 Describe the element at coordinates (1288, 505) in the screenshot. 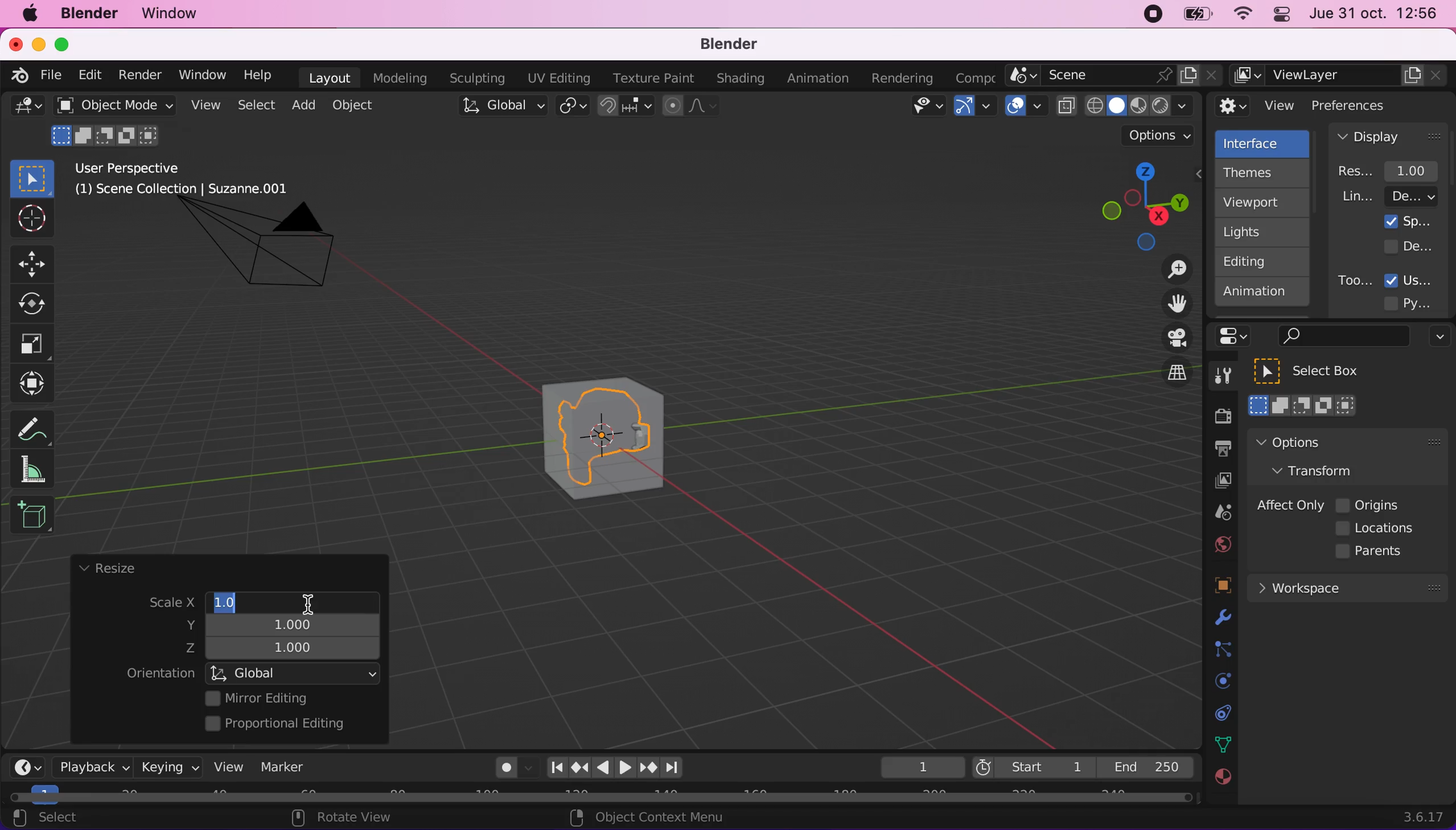

I see `affect only` at that location.